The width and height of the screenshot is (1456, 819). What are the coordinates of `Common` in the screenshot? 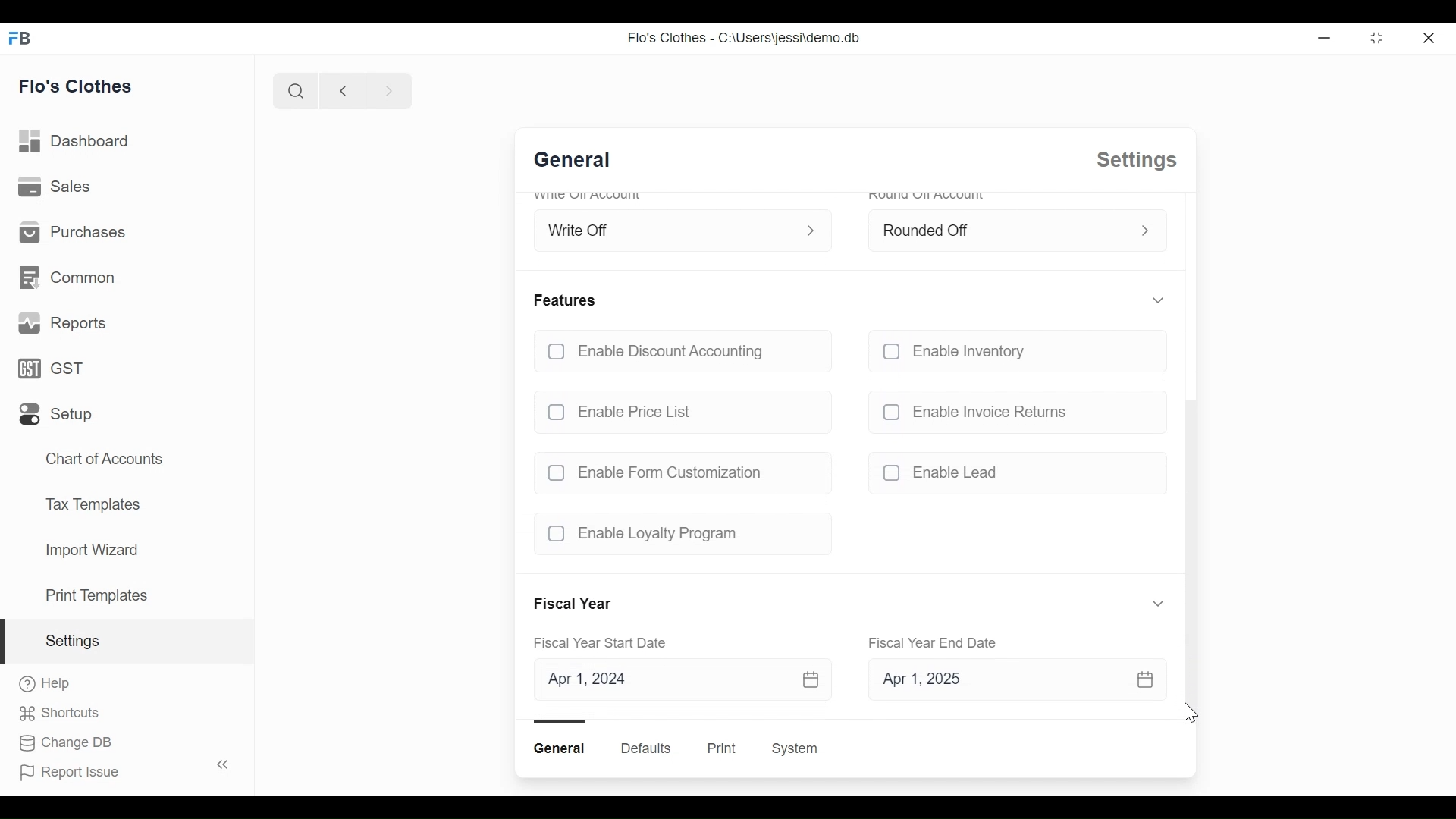 It's located at (70, 280).